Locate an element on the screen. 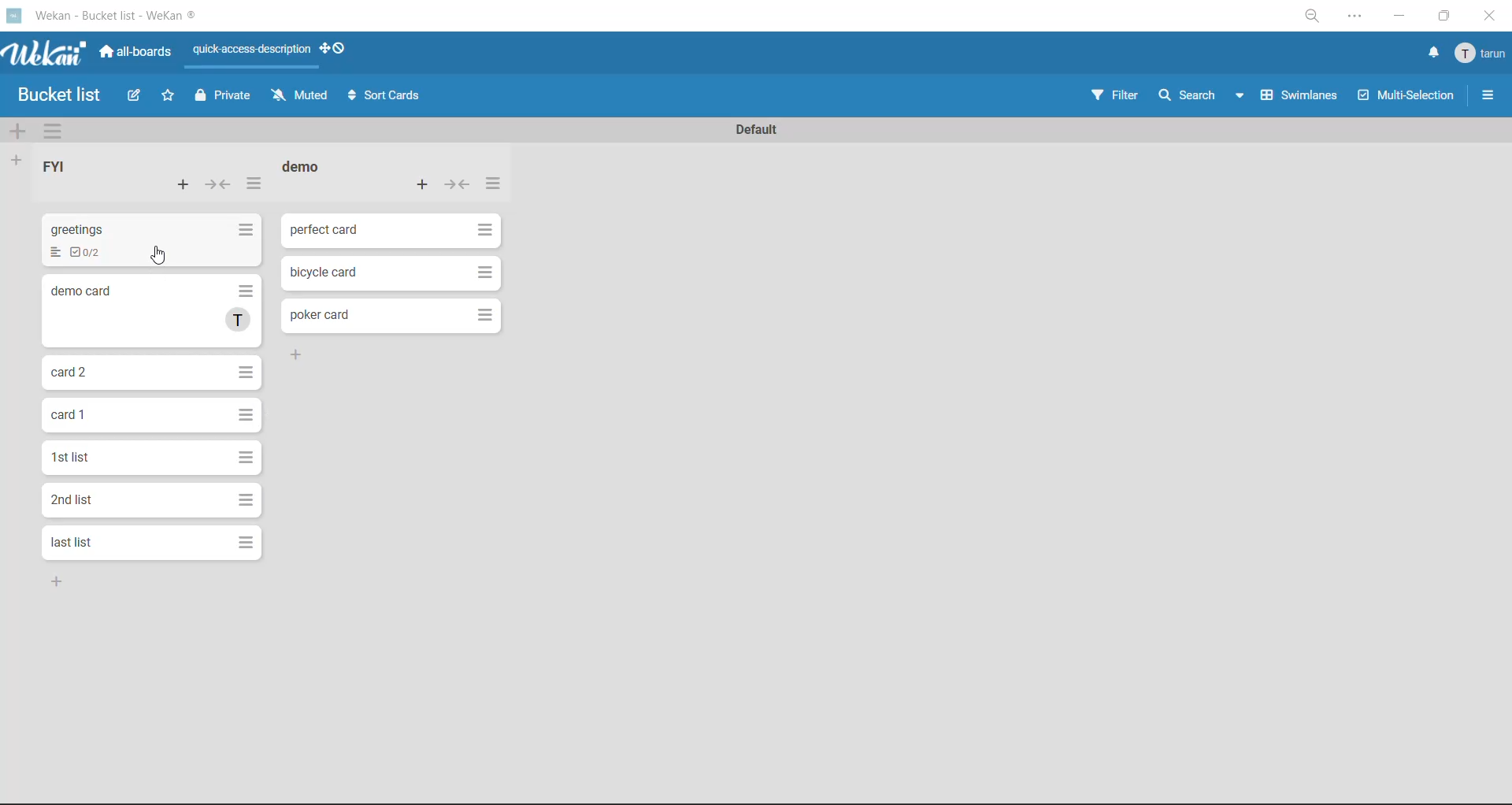  add swimlane is located at coordinates (20, 132).